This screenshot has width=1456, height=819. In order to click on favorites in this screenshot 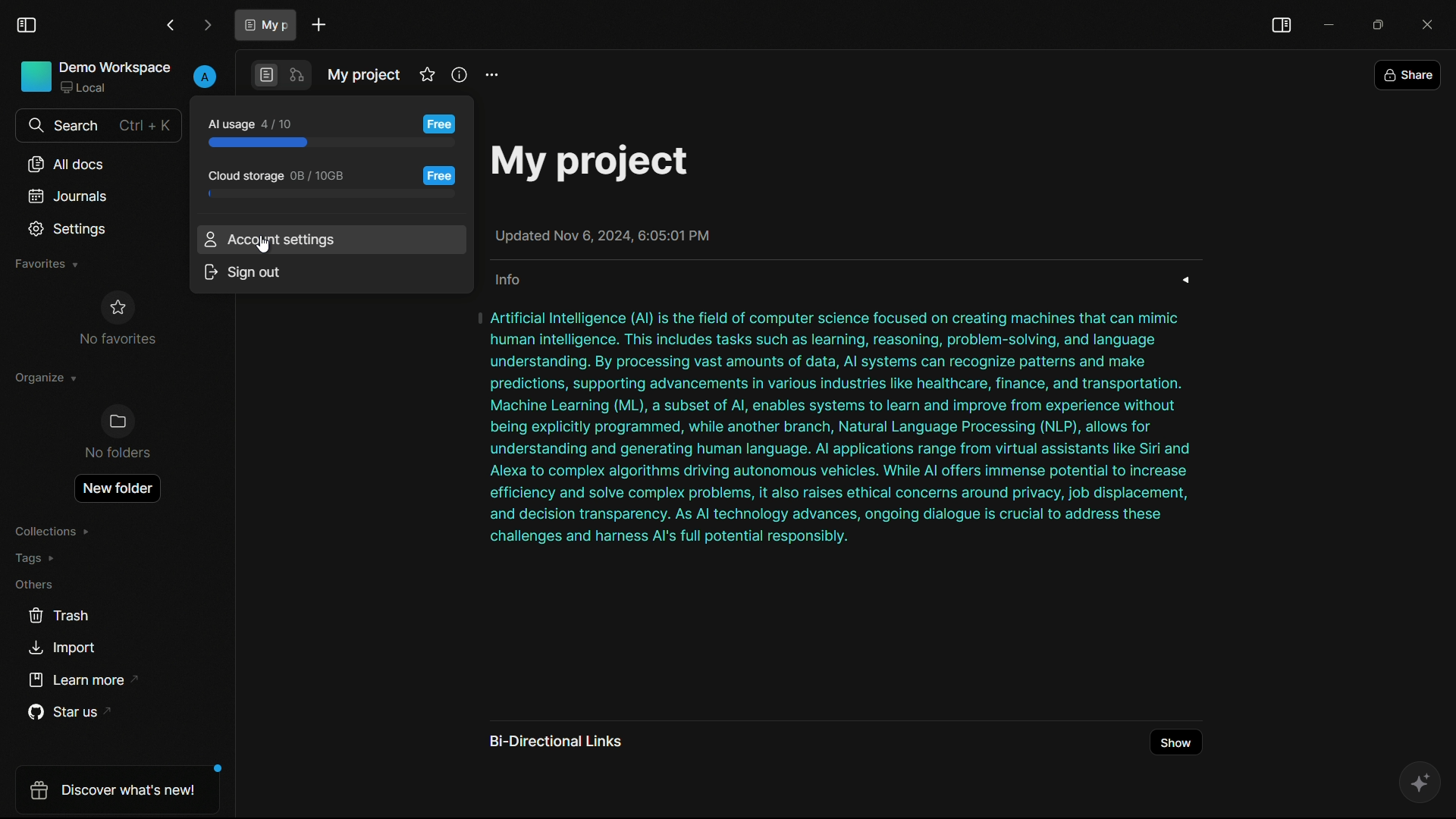, I will do `click(43, 265)`.